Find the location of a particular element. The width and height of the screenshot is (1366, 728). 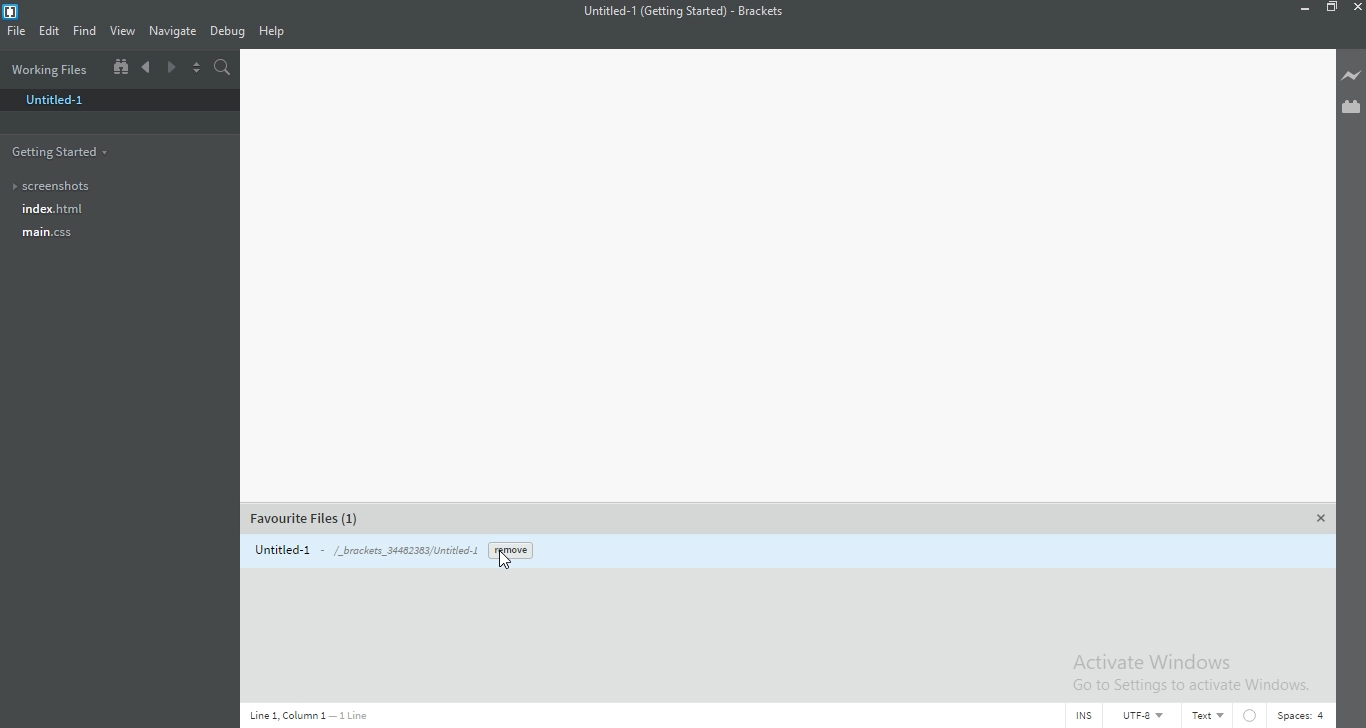

remove is located at coordinates (508, 550).